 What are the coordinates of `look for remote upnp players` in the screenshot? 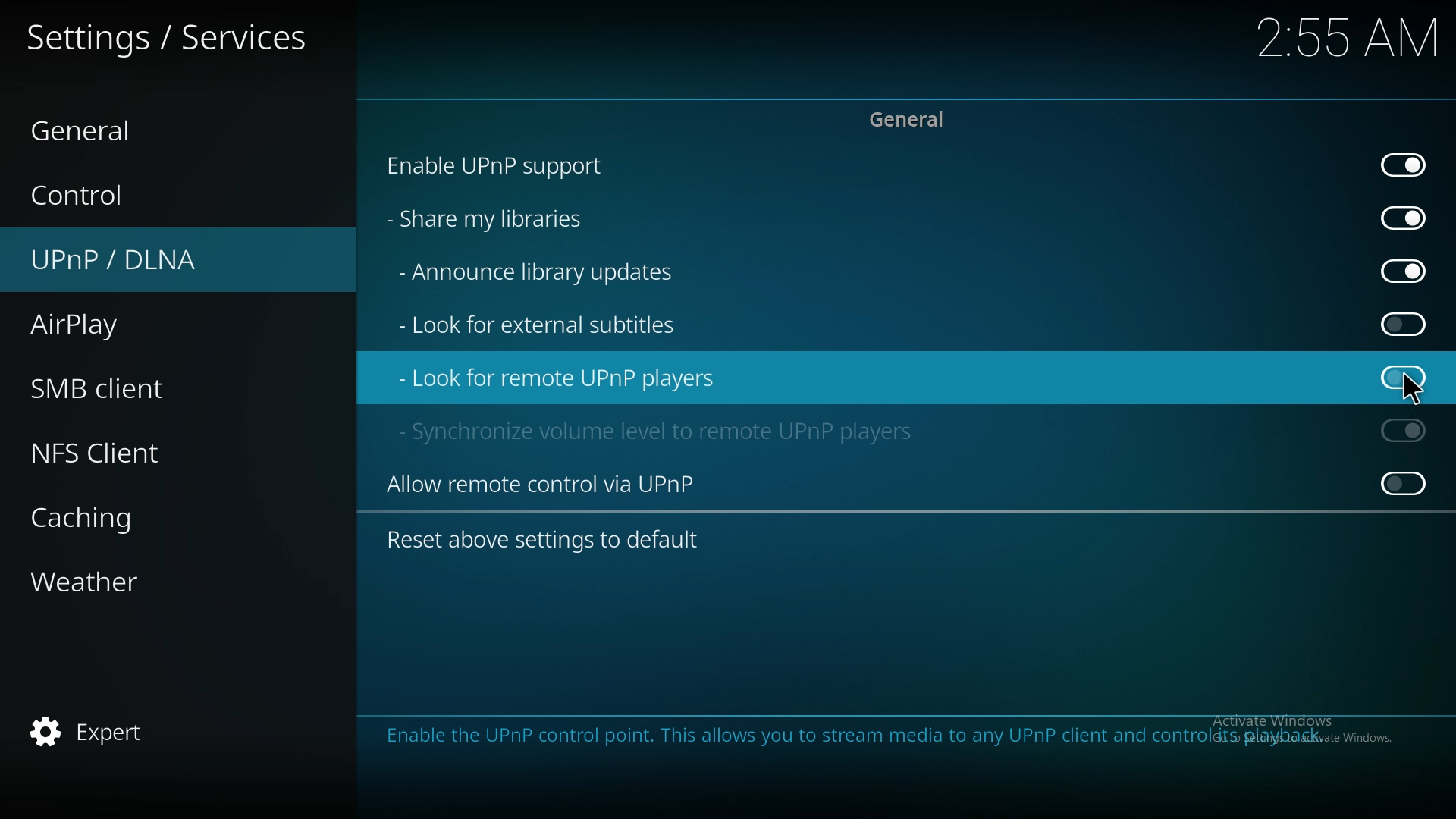 It's located at (560, 376).